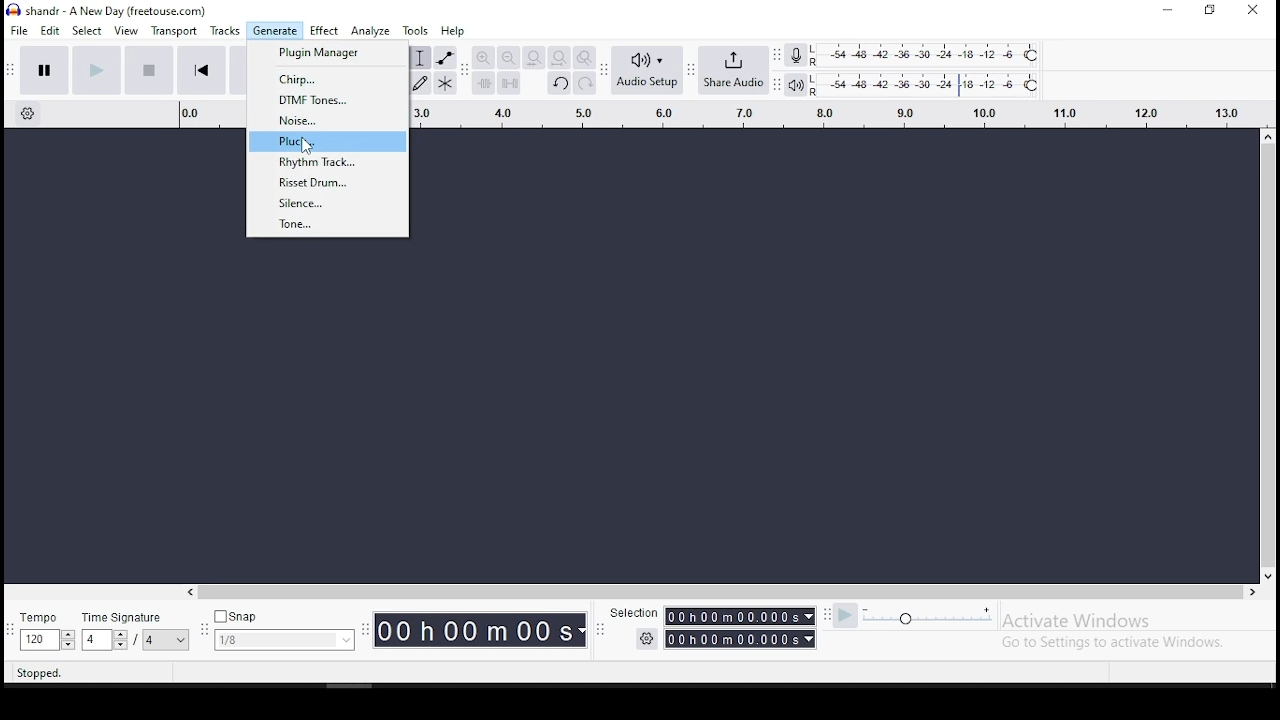  What do you see at coordinates (176, 30) in the screenshot?
I see `transport` at bounding box center [176, 30].